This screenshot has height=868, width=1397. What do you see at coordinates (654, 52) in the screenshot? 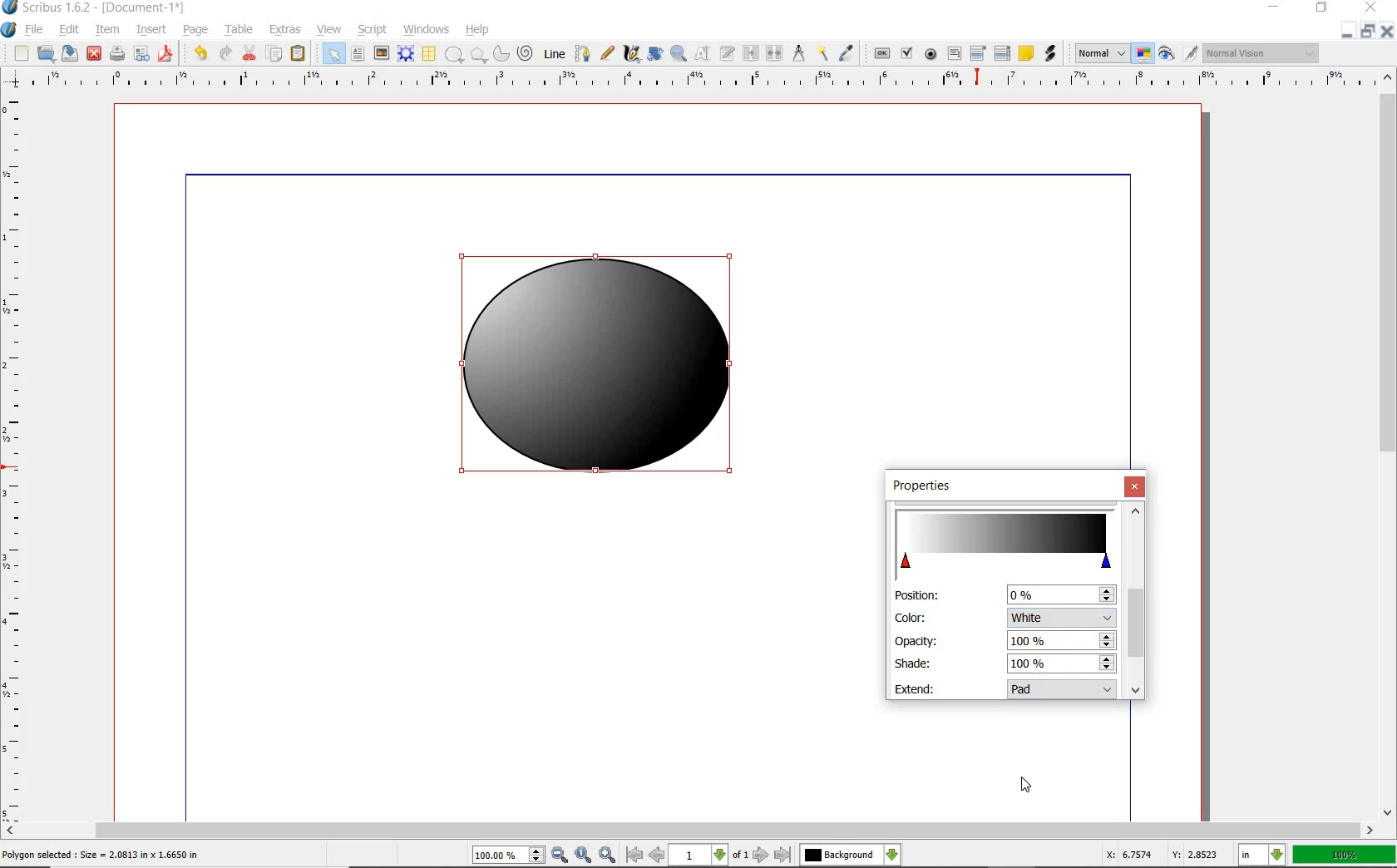
I see `ROTATE ITEM` at bounding box center [654, 52].